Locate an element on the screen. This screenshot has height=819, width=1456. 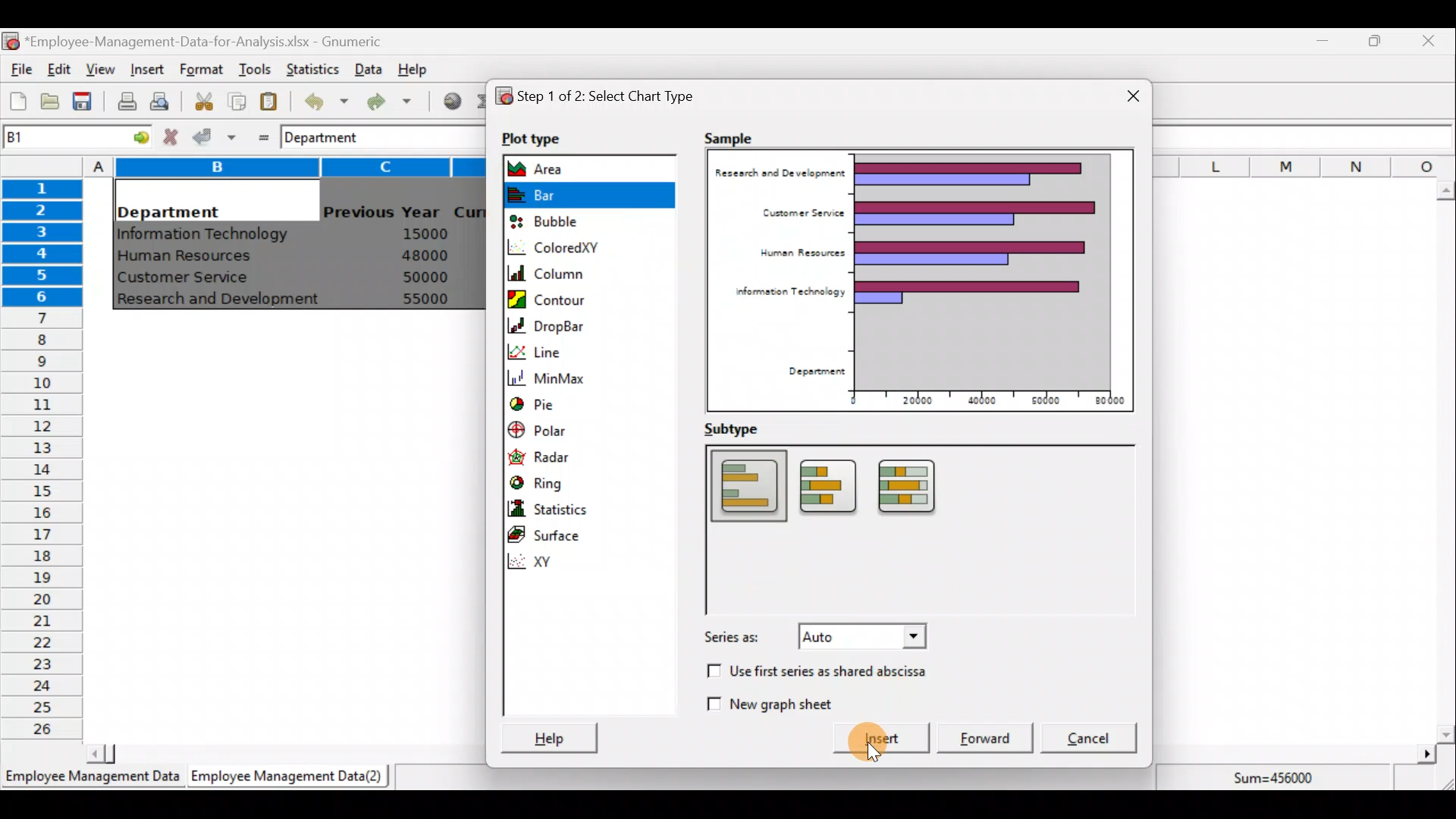
Close is located at coordinates (1427, 43).